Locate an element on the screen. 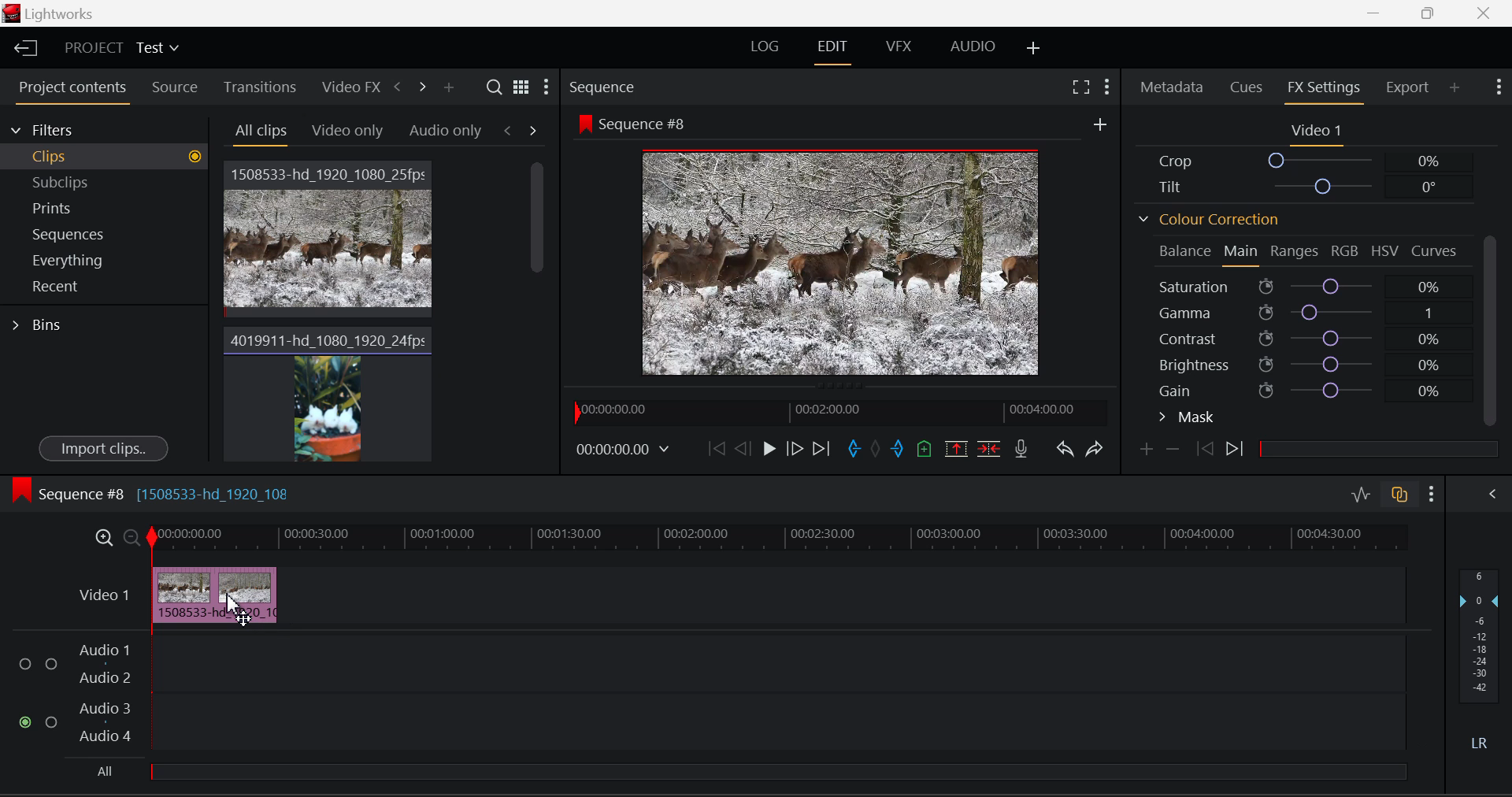 Image resolution: width=1512 pixels, height=797 pixels. Video Frame Time is located at coordinates (621, 447).